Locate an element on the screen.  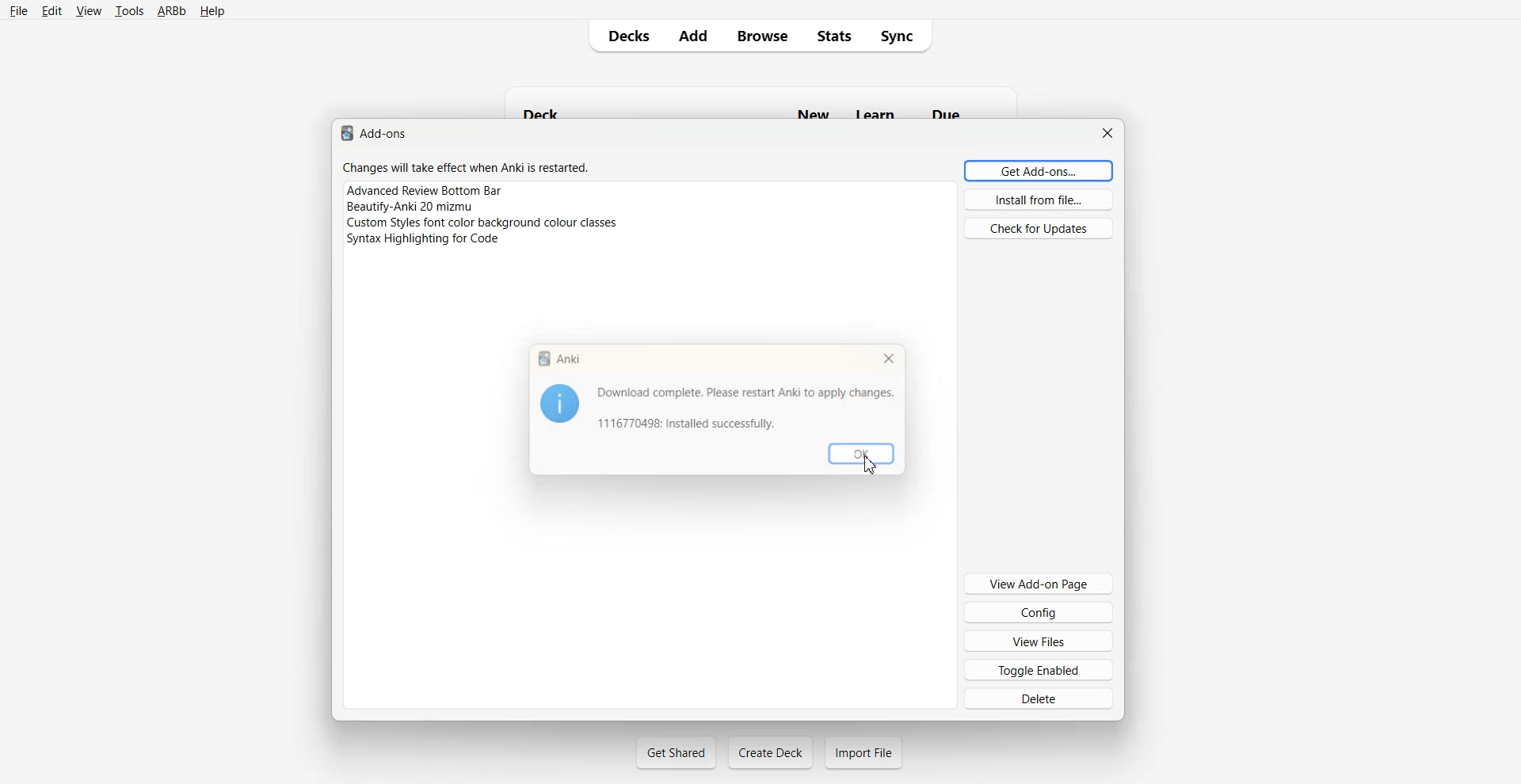
Deck New Learn Due is located at coordinates (754, 114).